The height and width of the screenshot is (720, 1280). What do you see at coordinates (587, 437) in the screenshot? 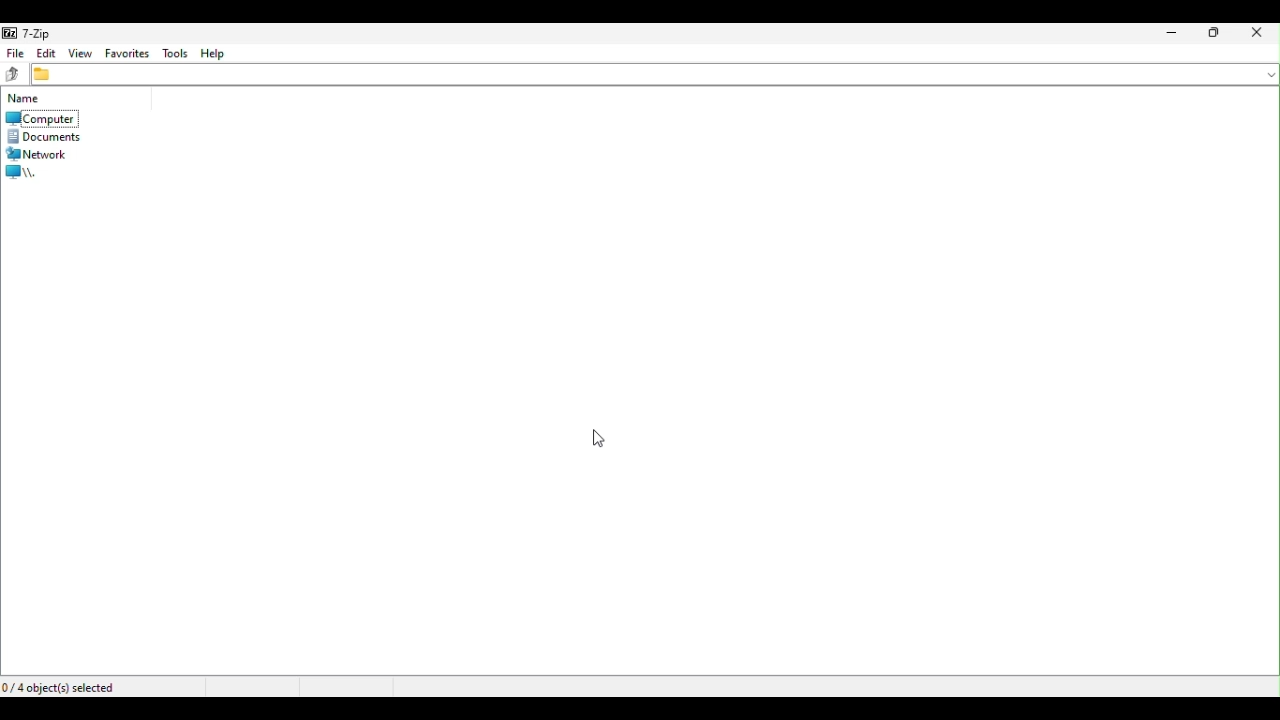
I see `Mouse` at bounding box center [587, 437].